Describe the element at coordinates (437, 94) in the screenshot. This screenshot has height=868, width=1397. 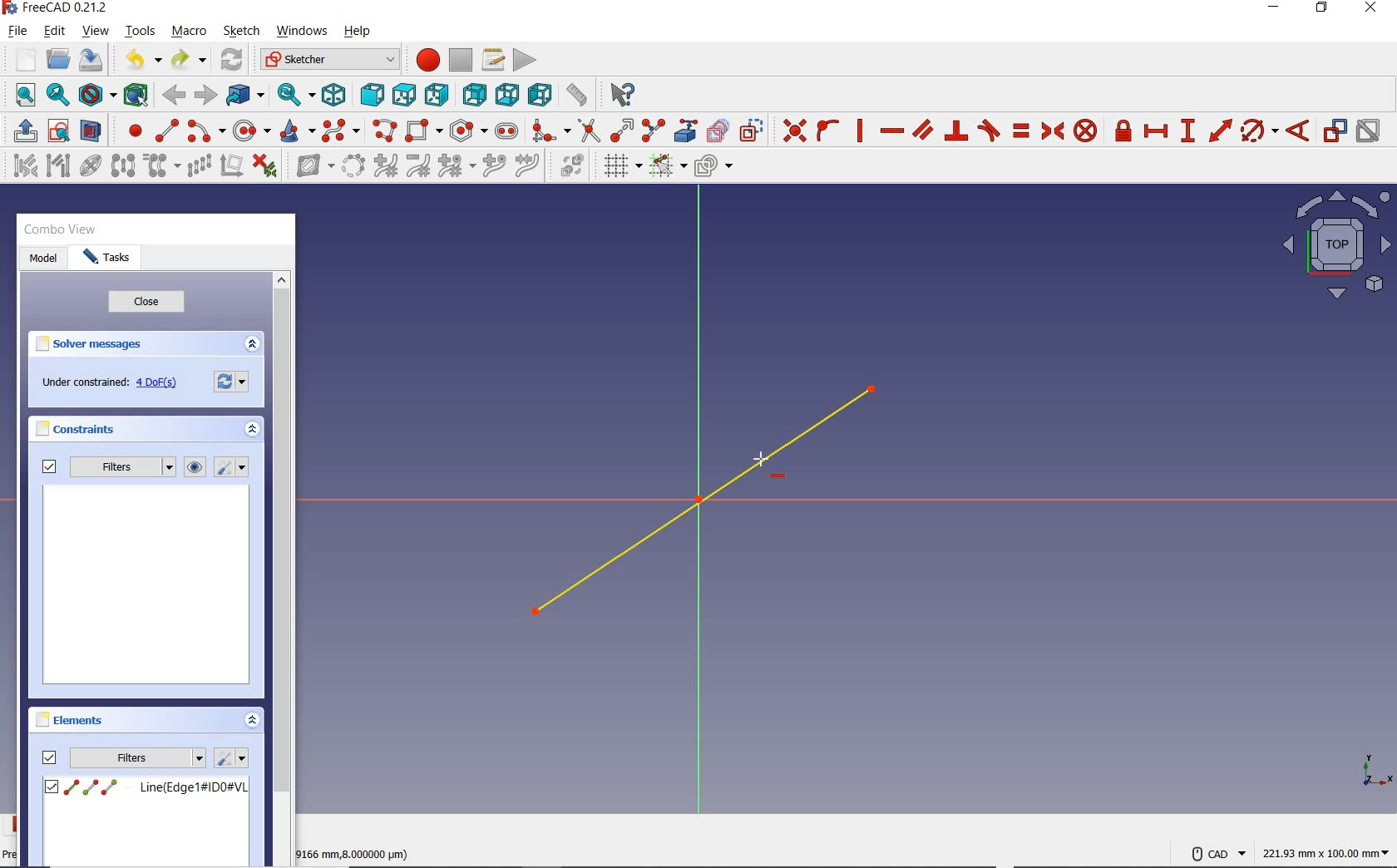
I see `RIGHT` at that location.